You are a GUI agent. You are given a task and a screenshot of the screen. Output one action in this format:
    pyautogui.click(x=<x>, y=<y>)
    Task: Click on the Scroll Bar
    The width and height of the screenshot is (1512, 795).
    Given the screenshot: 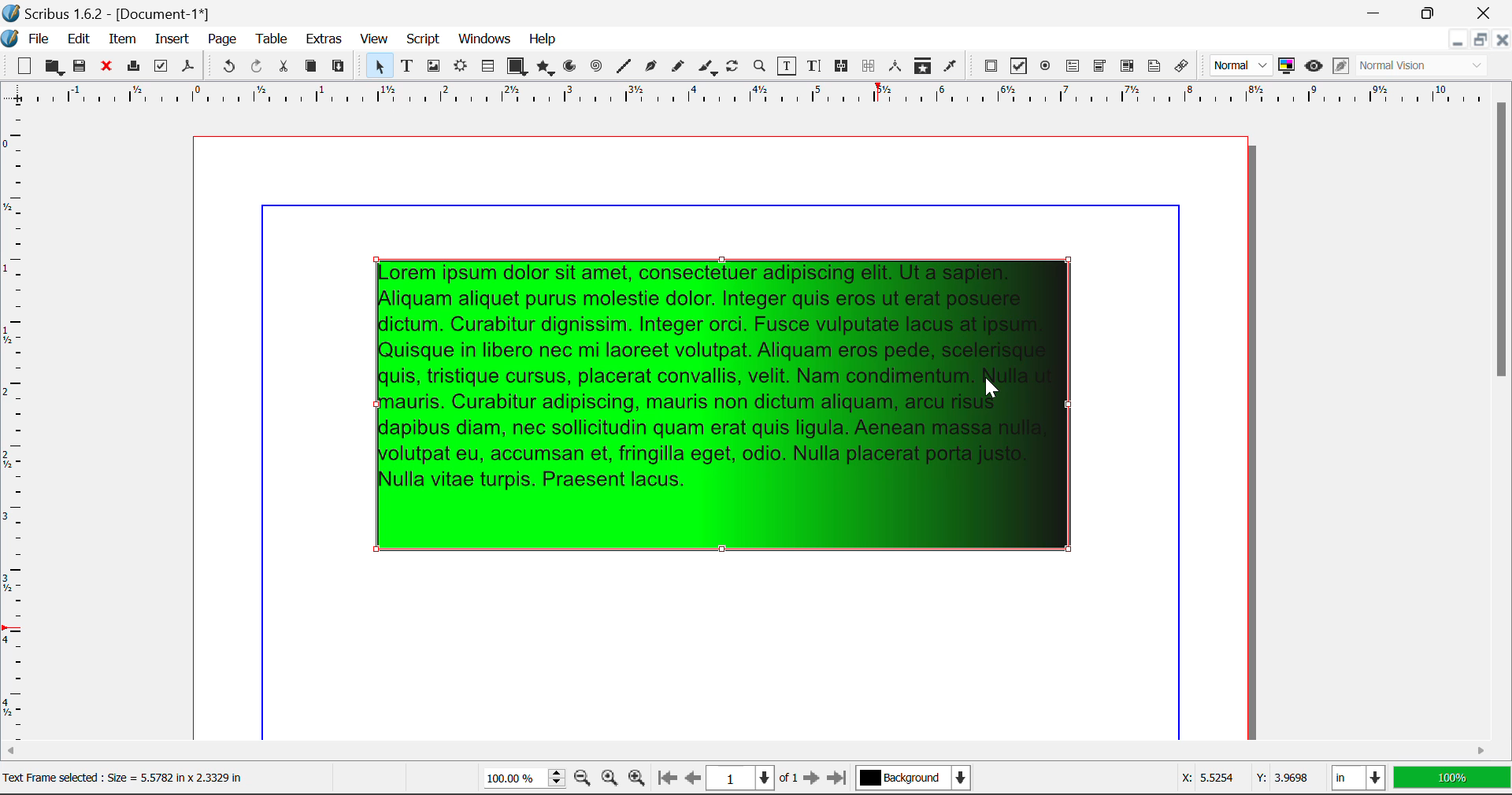 What is the action you would take?
    pyautogui.click(x=748, y=752)
    